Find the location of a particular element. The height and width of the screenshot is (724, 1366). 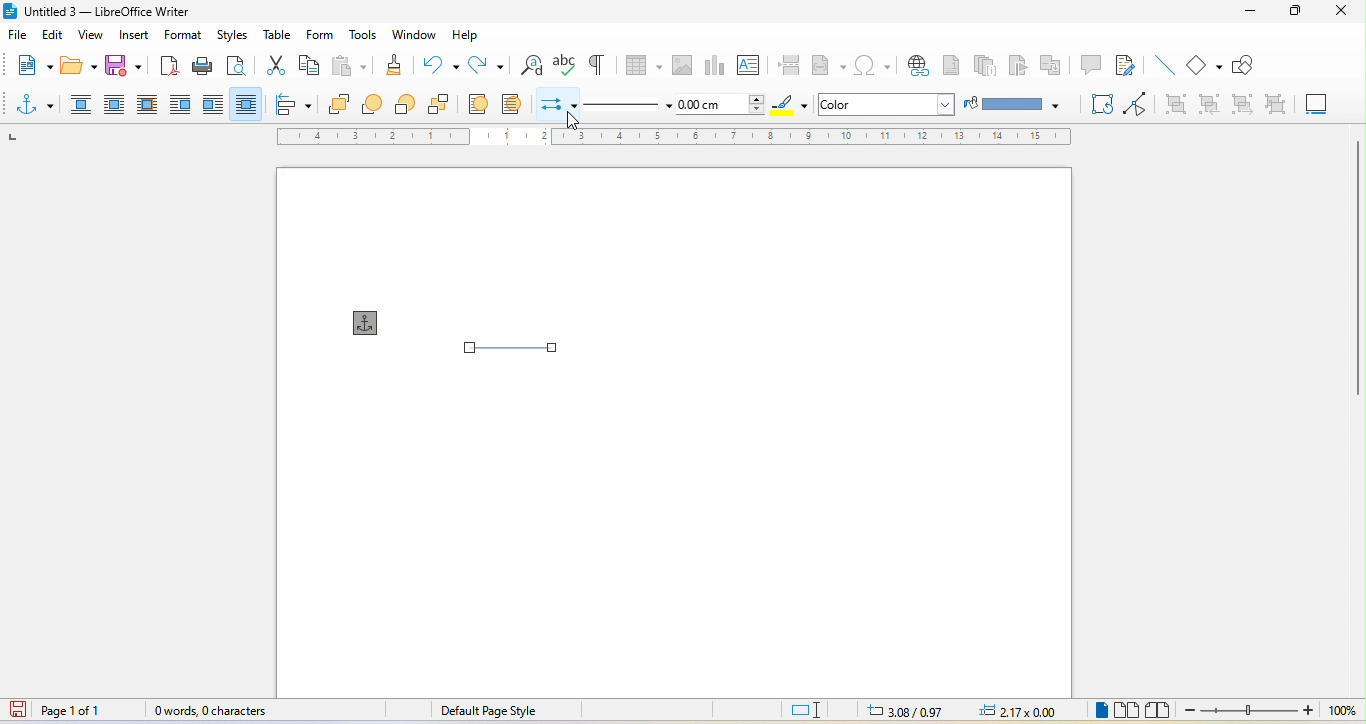

optimal is located at coordinates (148, 103).